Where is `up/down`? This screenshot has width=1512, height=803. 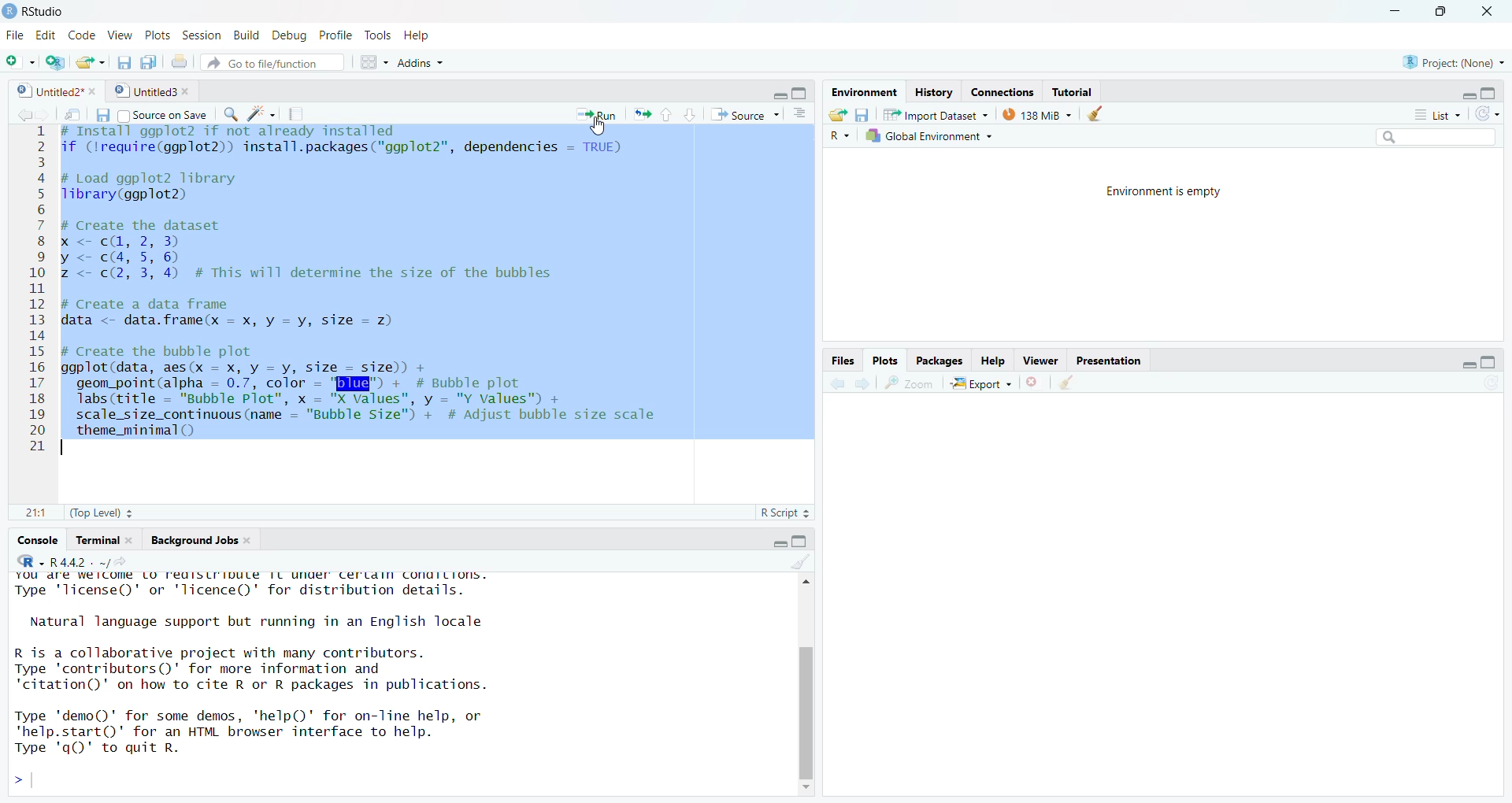
up/down is located at coordinates (675, 115).